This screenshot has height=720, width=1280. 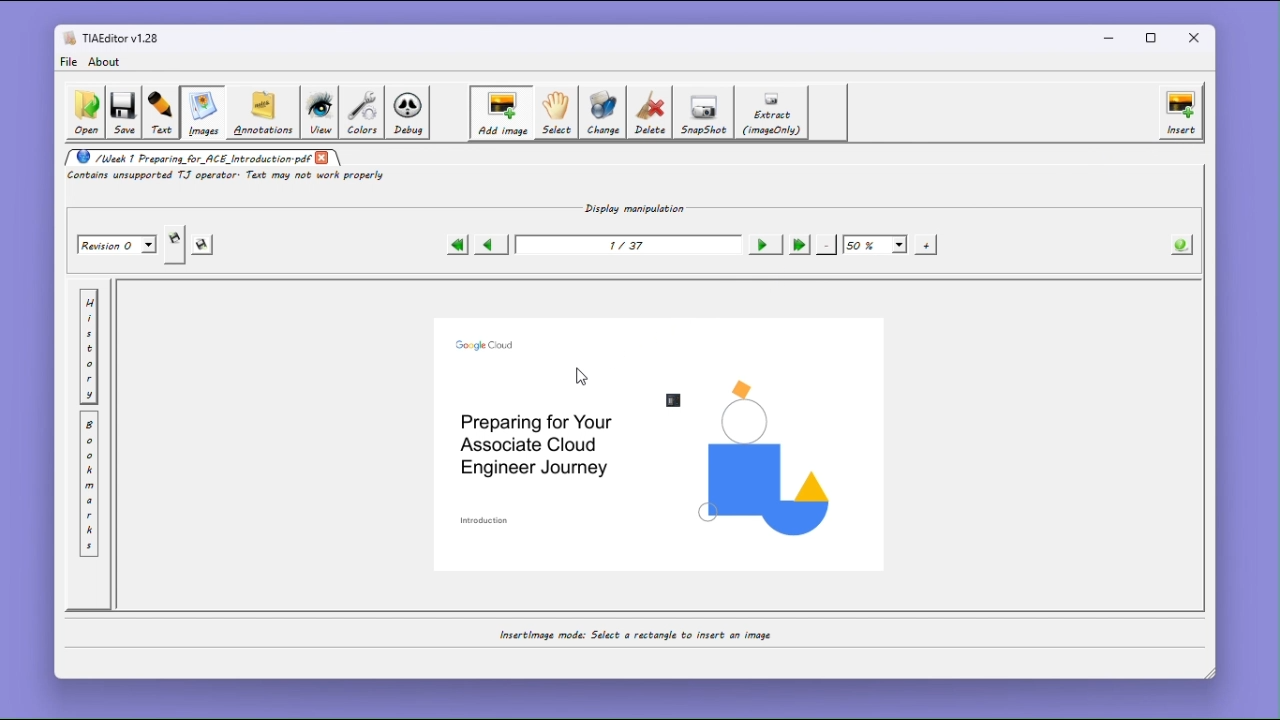 What do you see at coordinates (204, 246) in the screenshot?
I see `save` at bounding box center [204, 246].